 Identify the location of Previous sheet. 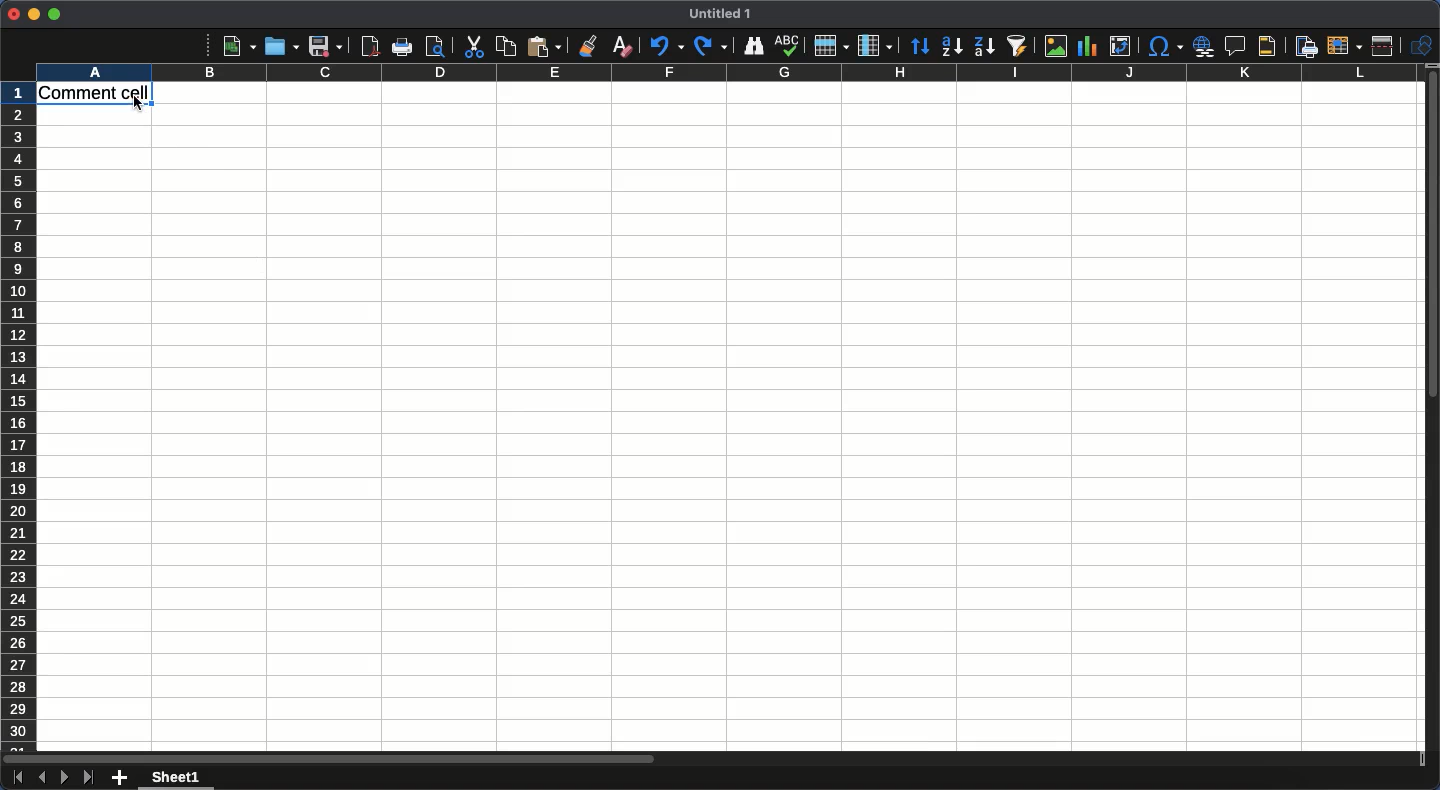
(45, 779).